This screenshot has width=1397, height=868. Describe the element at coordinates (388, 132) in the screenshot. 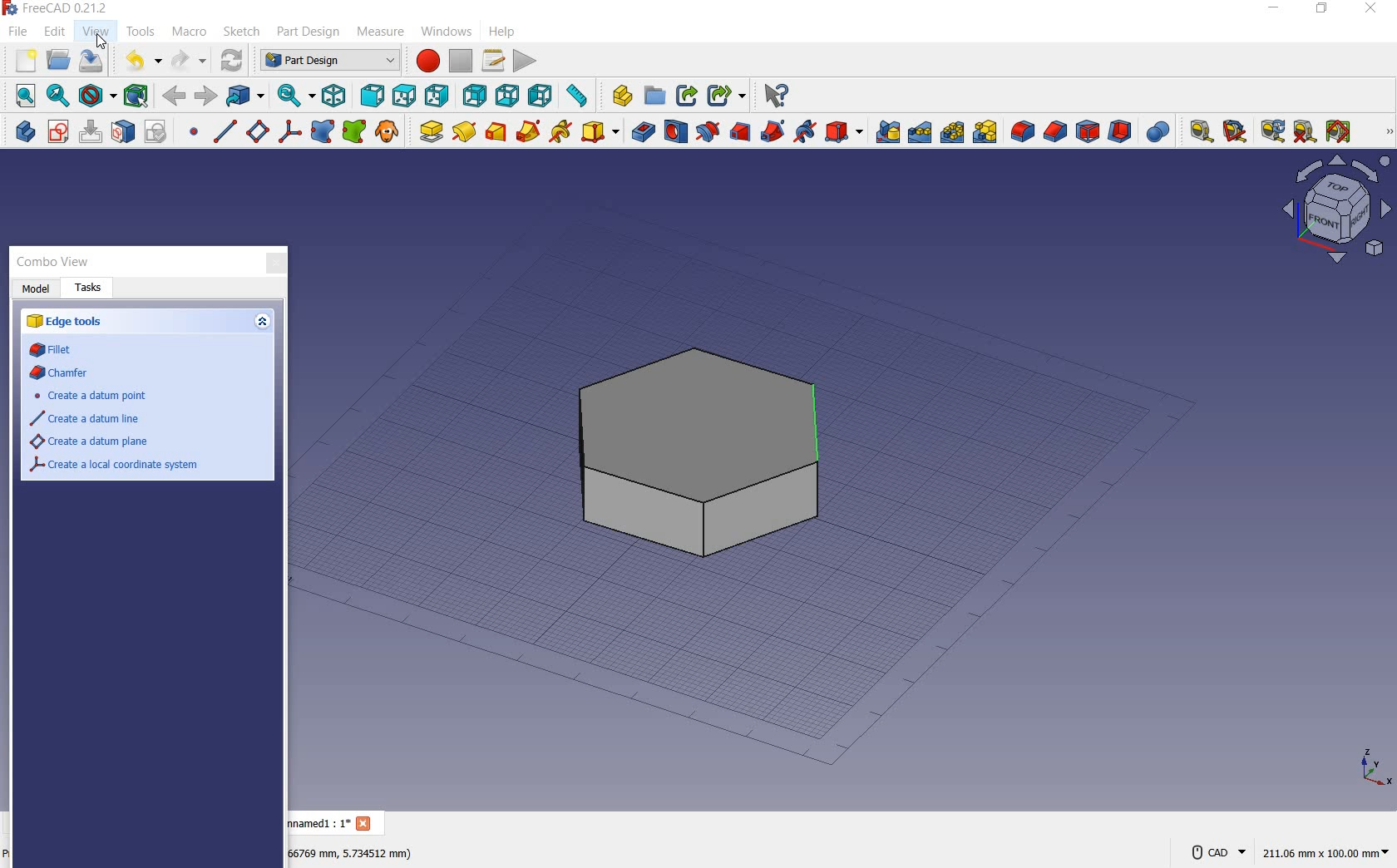

I see `create a clone` at that location.